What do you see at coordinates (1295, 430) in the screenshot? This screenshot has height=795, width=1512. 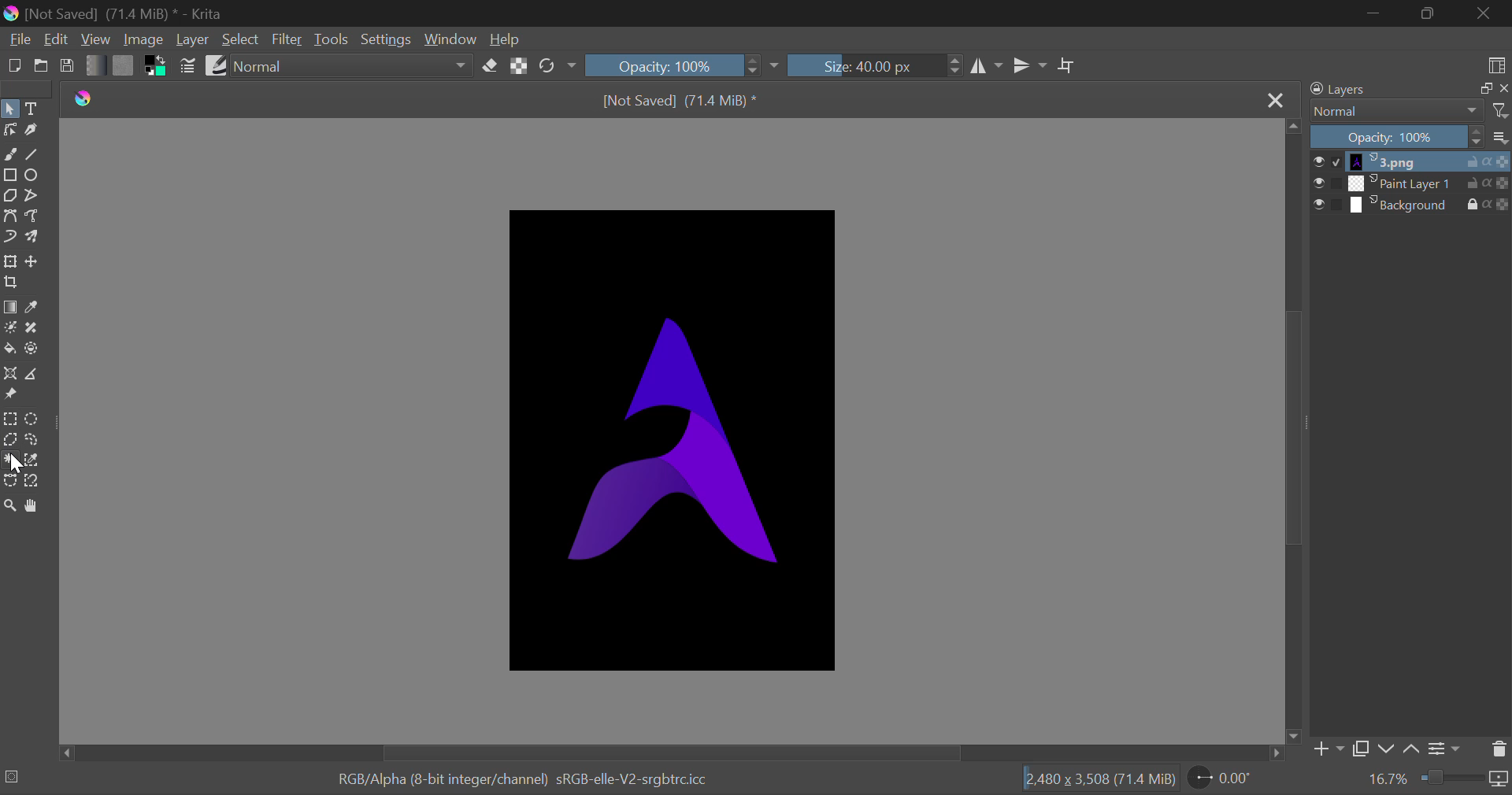 I see `Scroll Bar` at bounding box center [1295, 430].